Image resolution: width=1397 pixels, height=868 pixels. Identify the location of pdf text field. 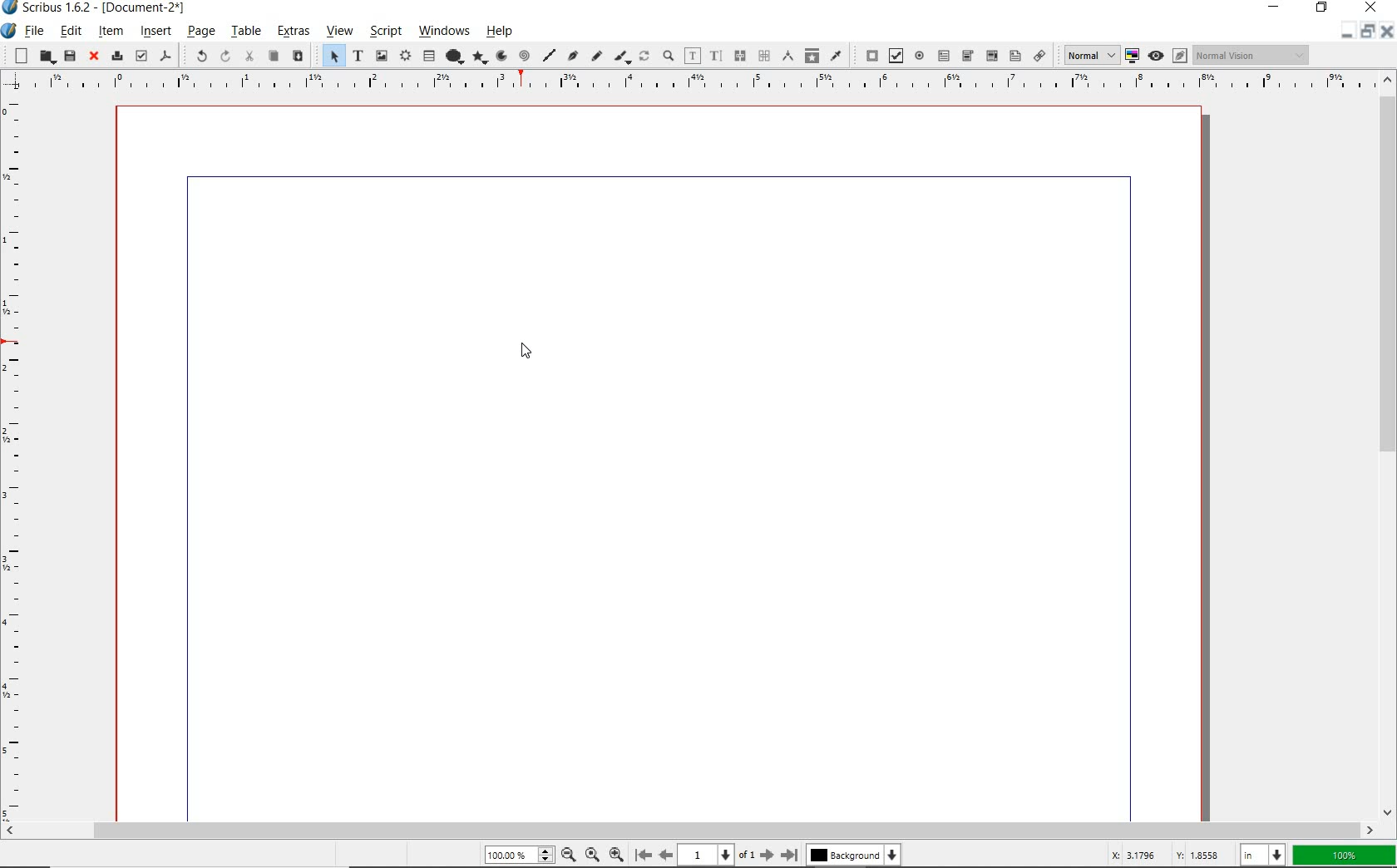
(945, 55).